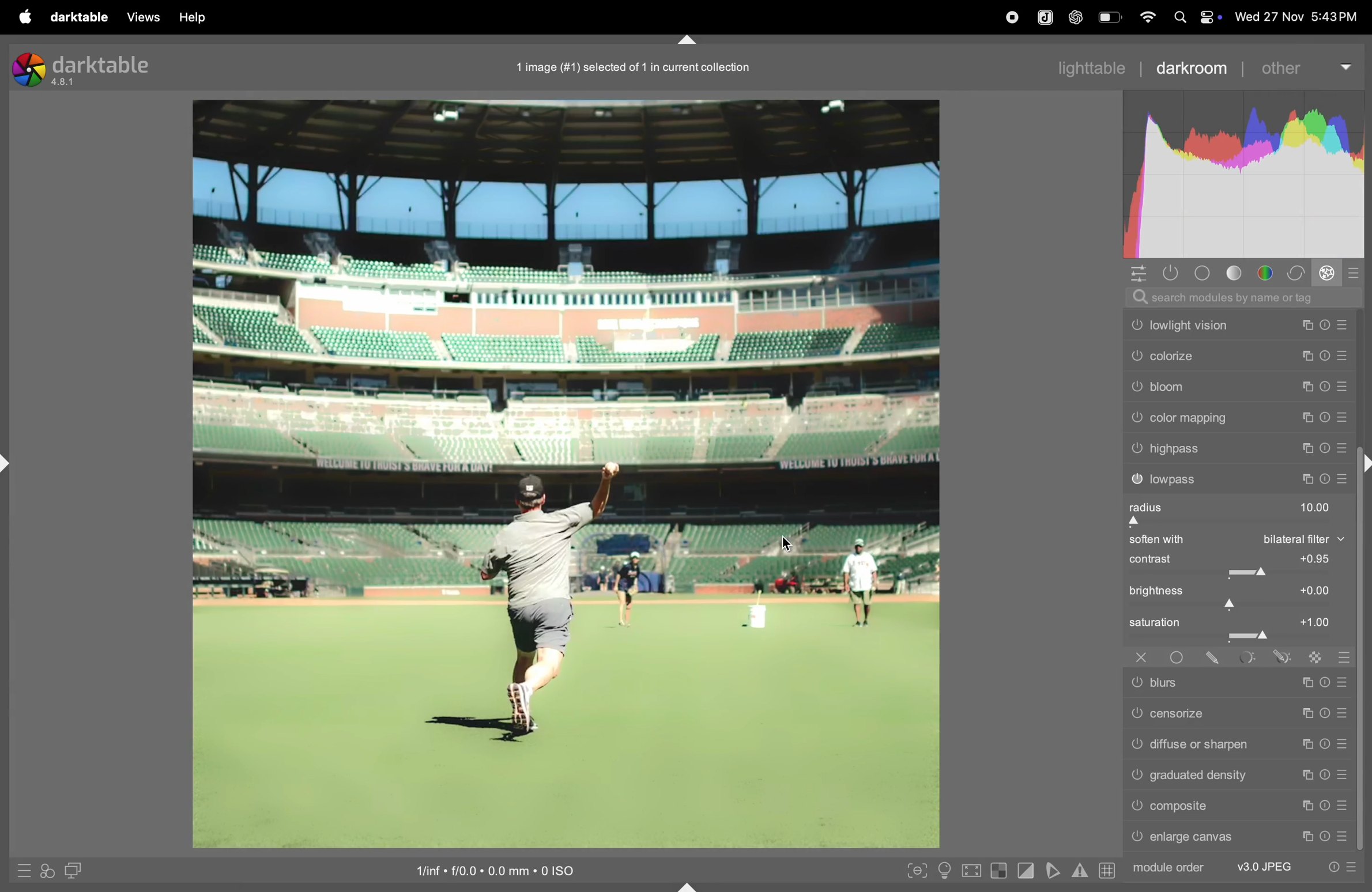 This screenshot has height=892, width=1372. I want to click on shift+ctrl+b, so click(688, 886).